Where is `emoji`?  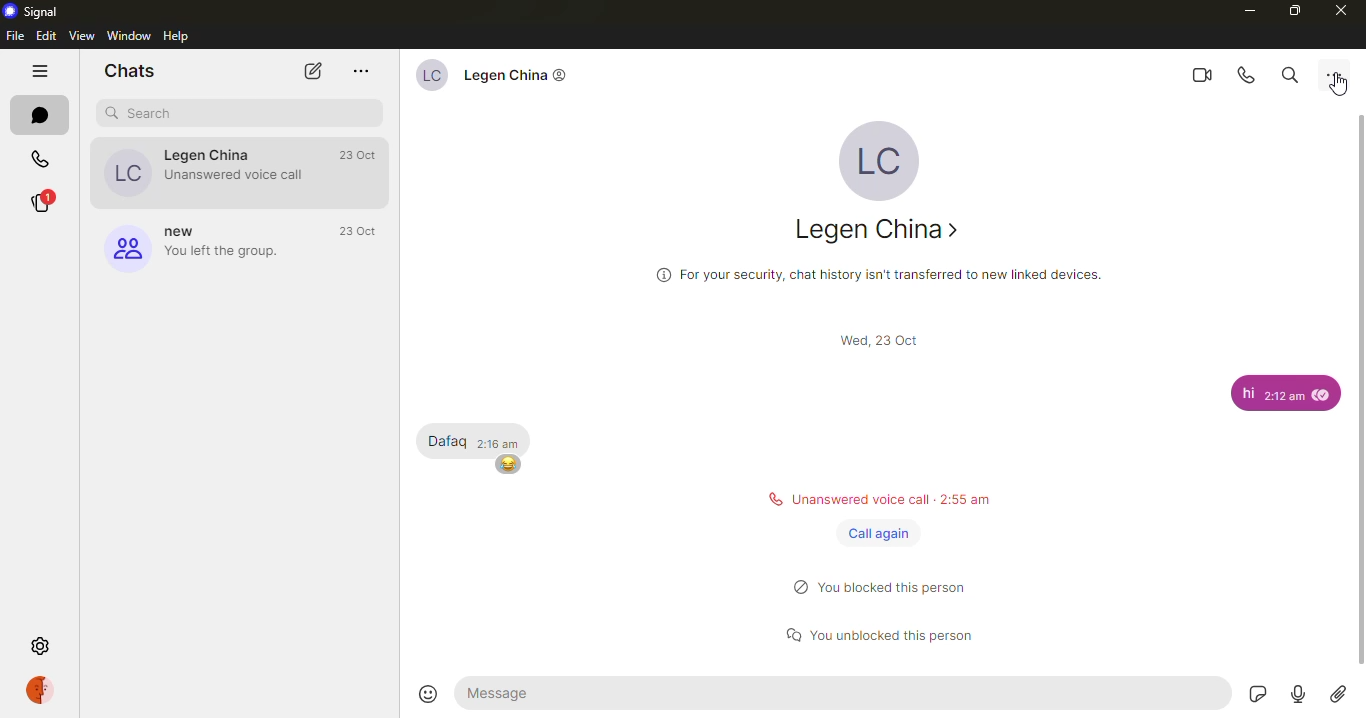 emoji is located at coordinates (509, 465).